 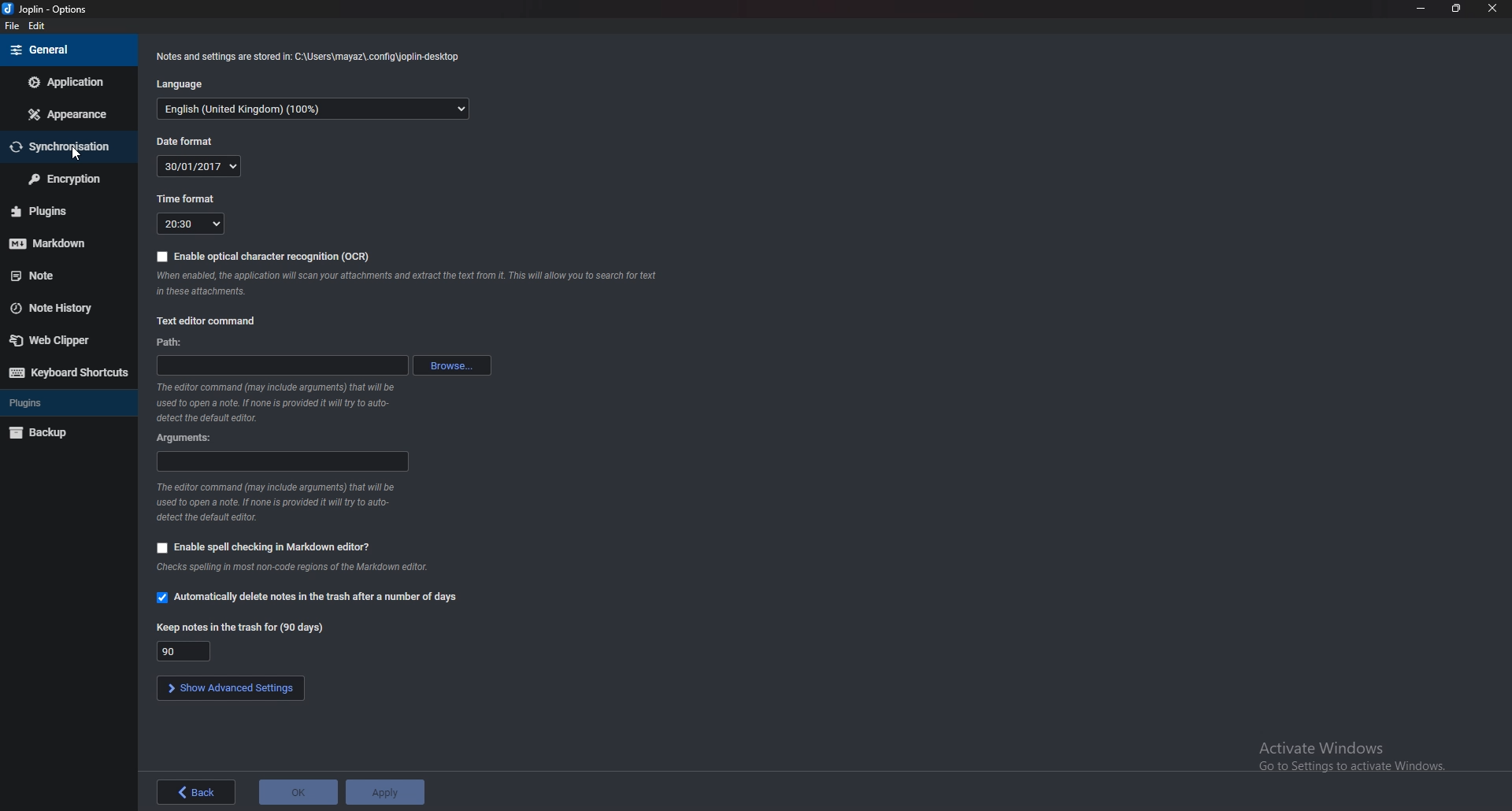 What do you see at coordinates (274, 405) in the screenshot?
I see `info` at bounding box center [274, 405].